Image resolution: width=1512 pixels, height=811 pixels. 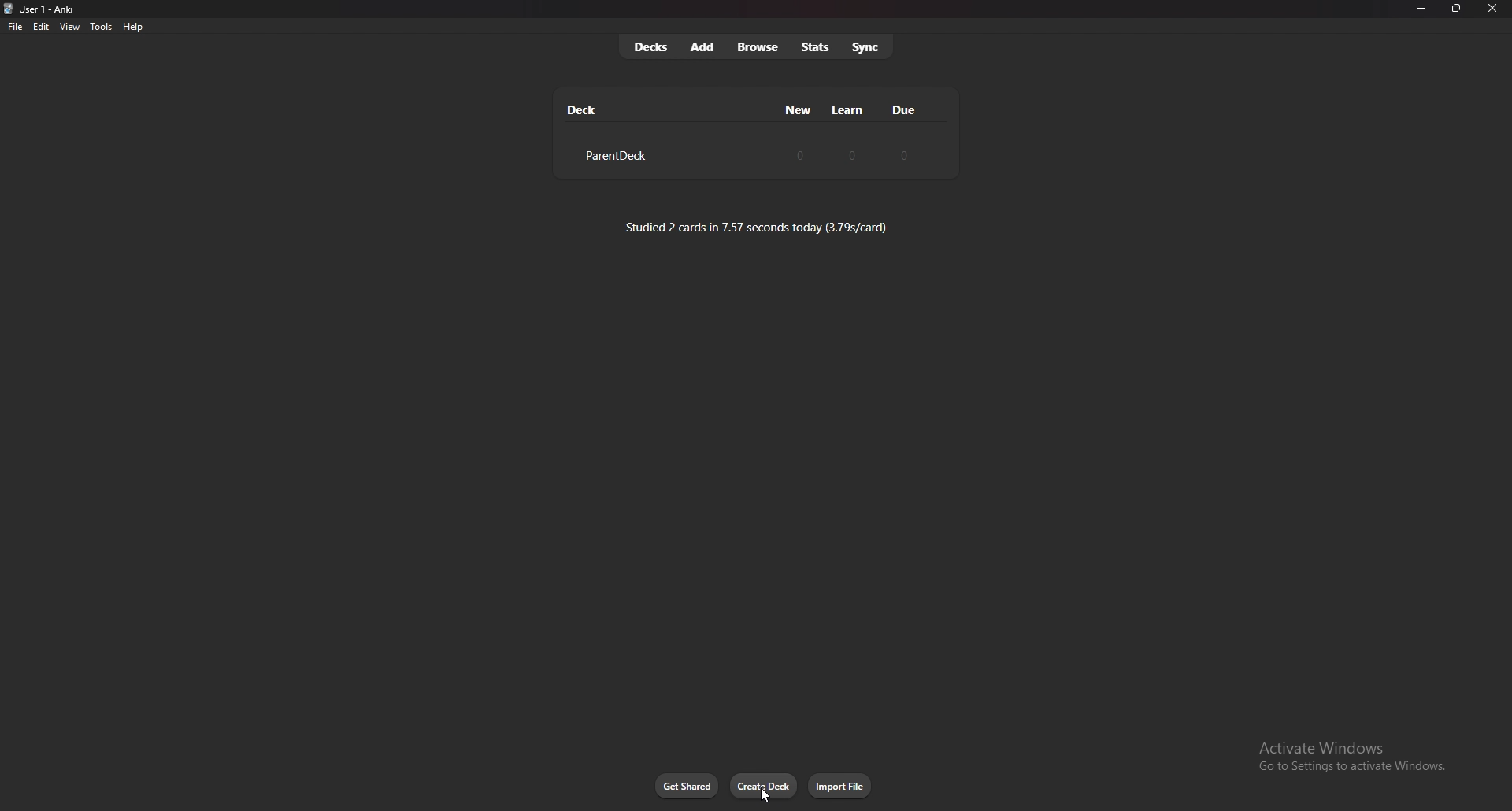 What do you see at coordinates (902, 109) in the screenshot?
I see `due` at bounding box center [902, 109].